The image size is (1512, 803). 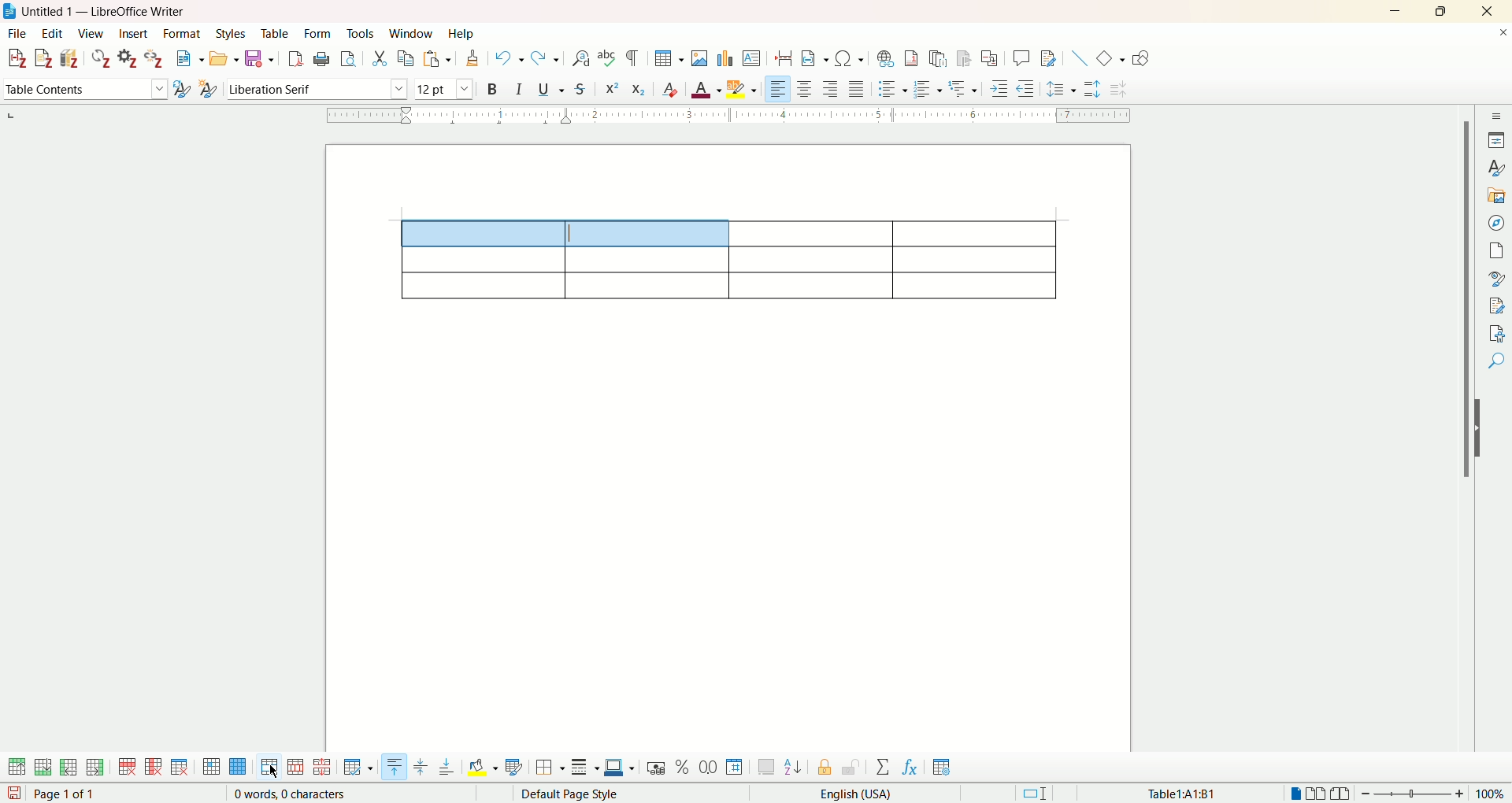 I want to click on align center, so click(x=804, y=89).